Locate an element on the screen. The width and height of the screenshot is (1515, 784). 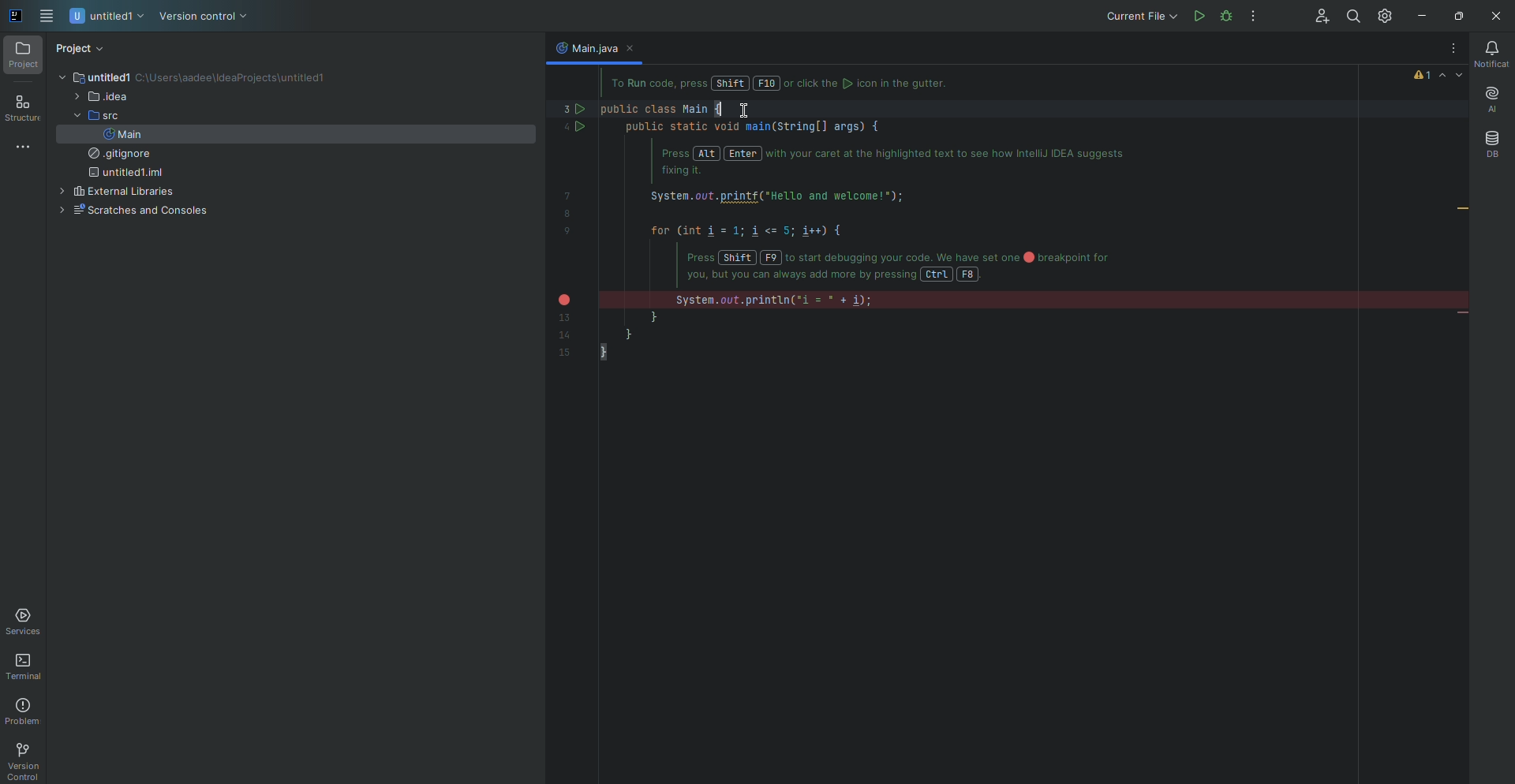
close is located at coordinates (635, 49).